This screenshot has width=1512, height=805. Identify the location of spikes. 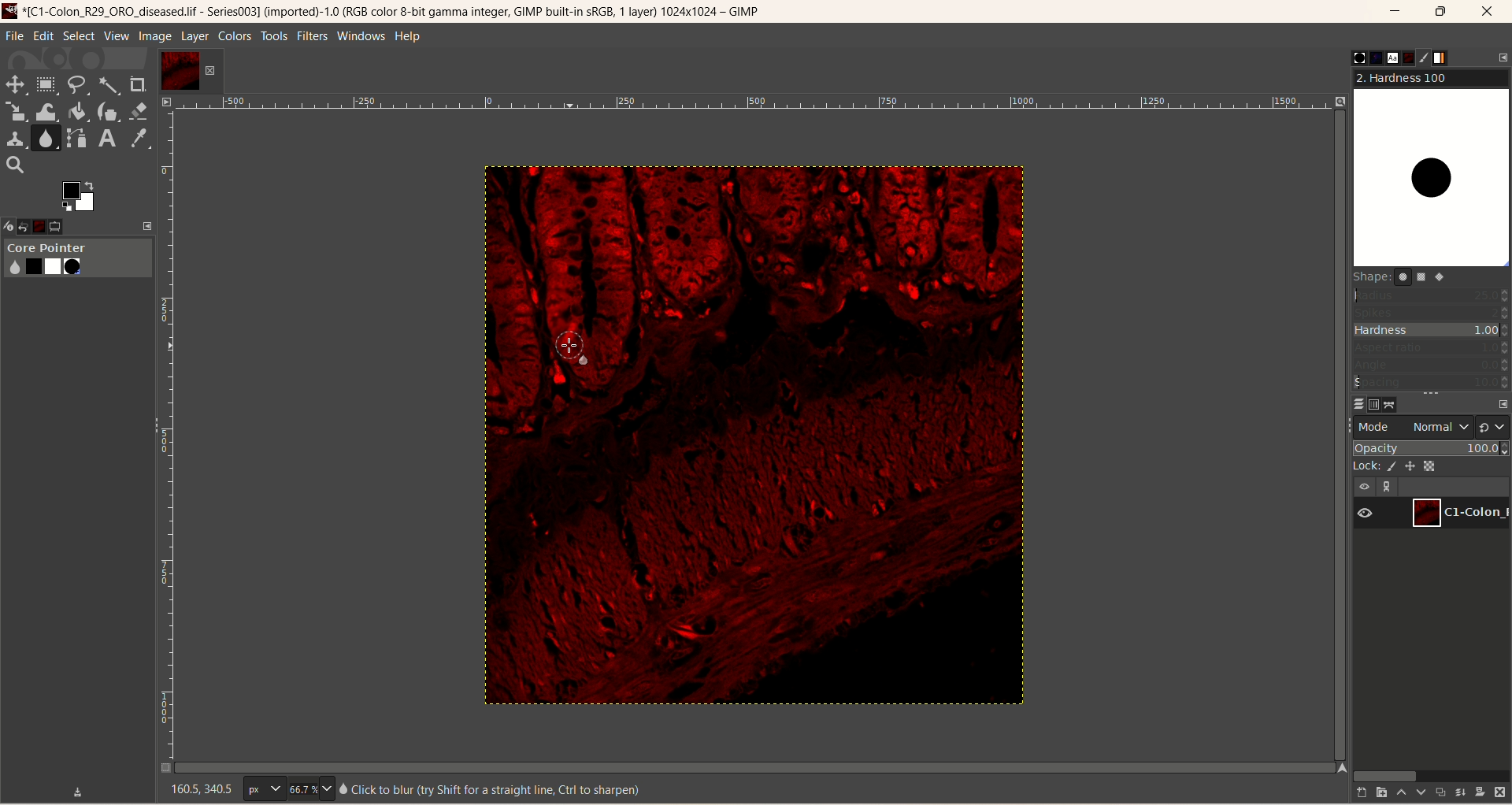
(1432, 311).